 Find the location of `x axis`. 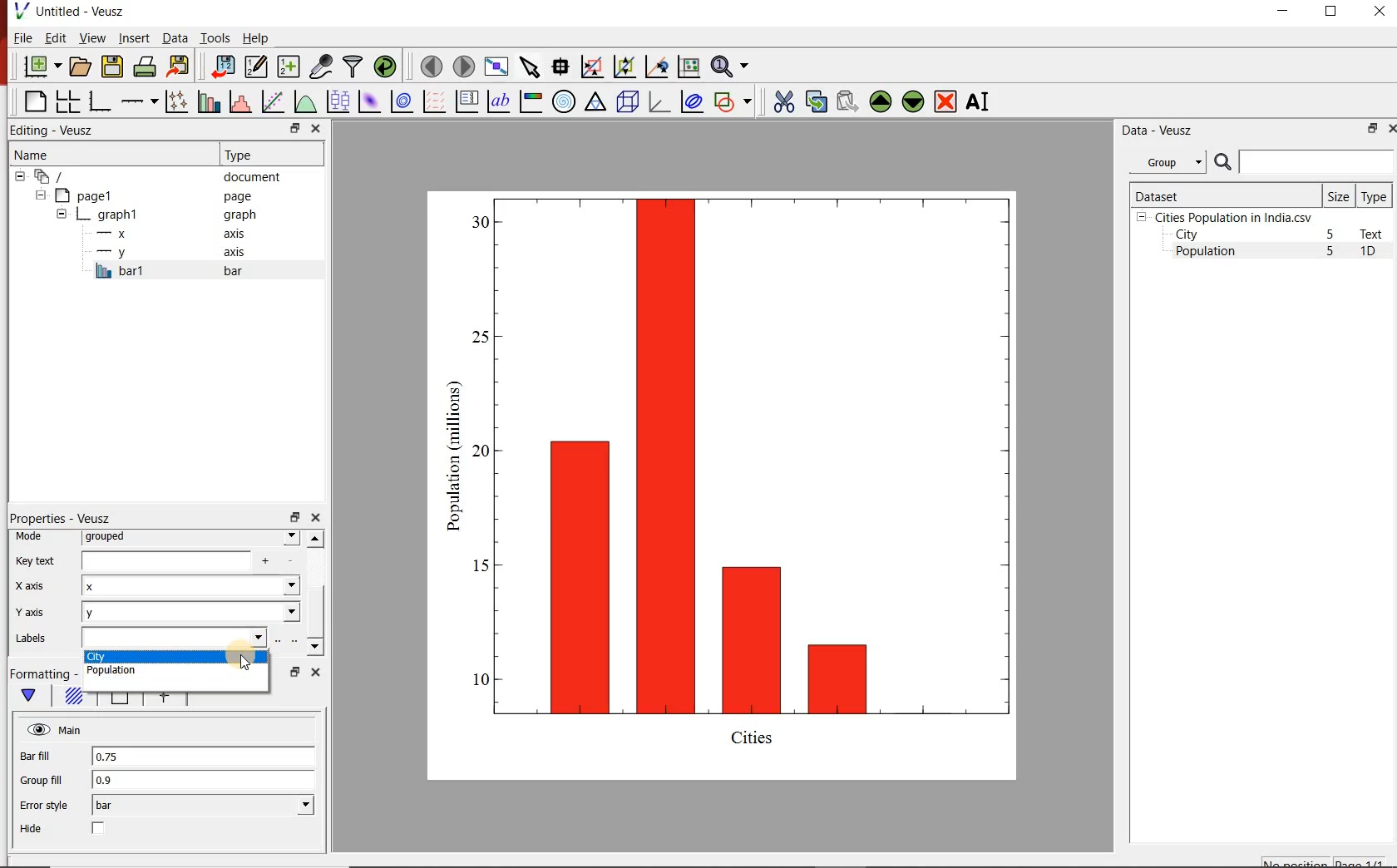

x axis is located at coordinates (173, 234).